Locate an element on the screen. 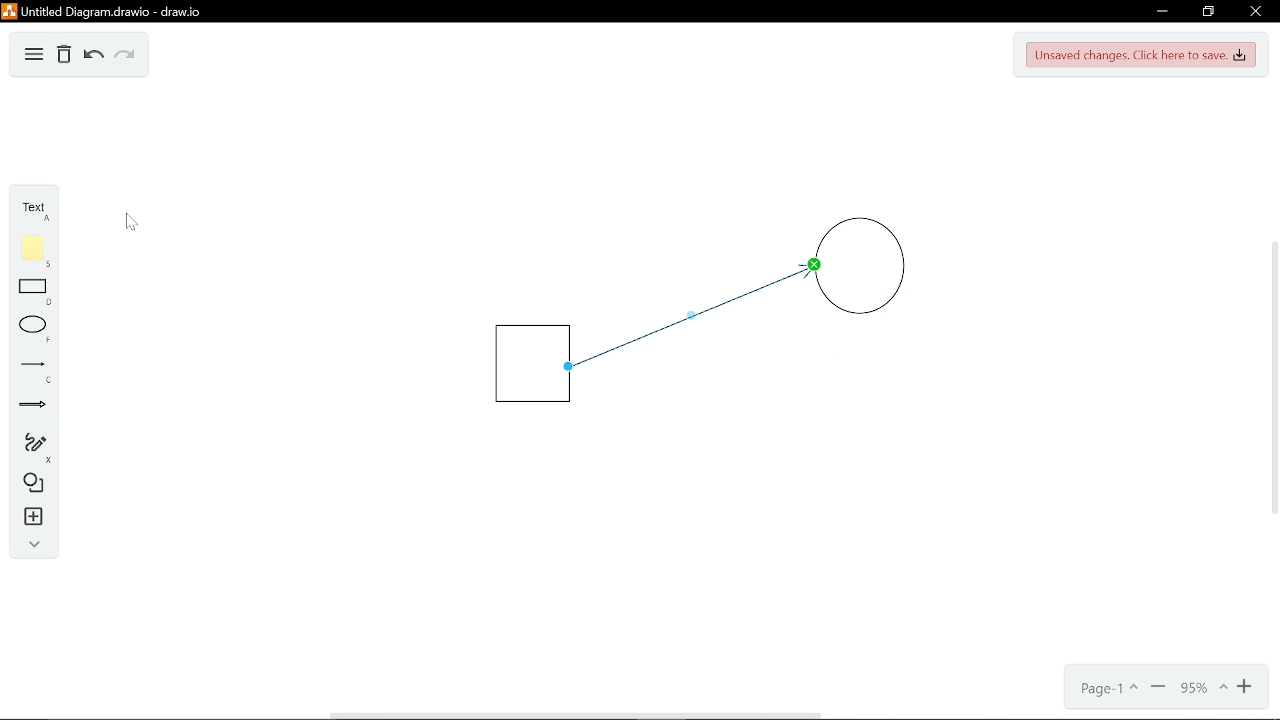 This screenshot has height=720, width=1280. CLose is located at coordinates (1254, 12).